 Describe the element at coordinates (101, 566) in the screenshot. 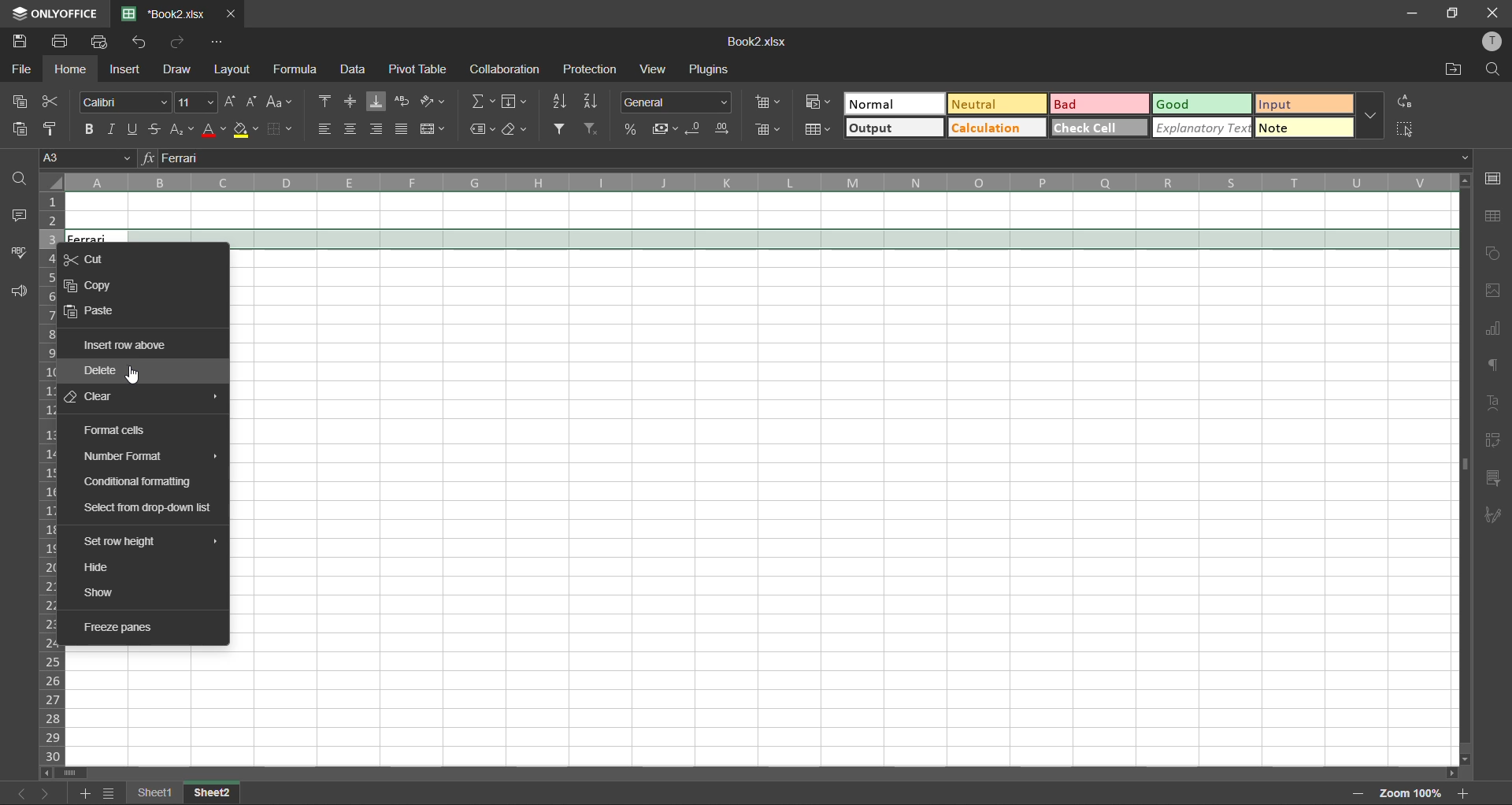

I see `hide` at that location.